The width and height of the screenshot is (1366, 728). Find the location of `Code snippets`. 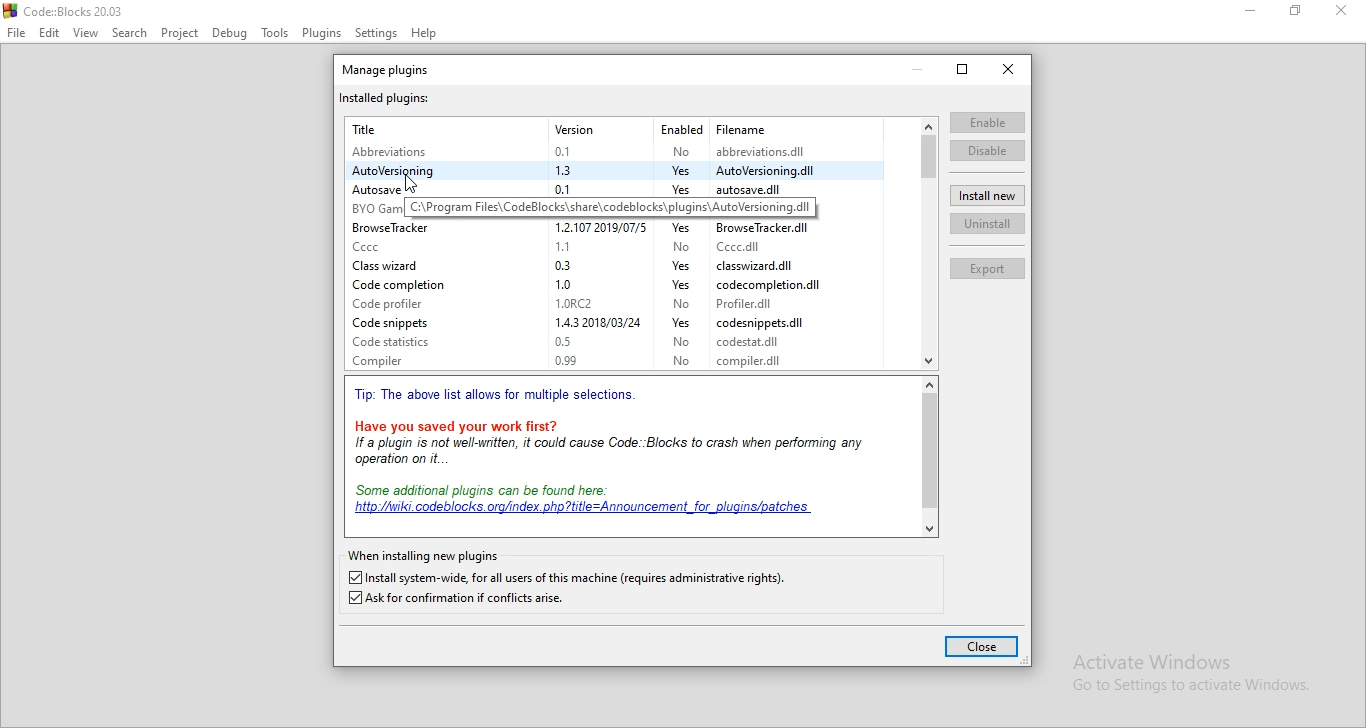

Code snippets is located at coordinates (402, 322).